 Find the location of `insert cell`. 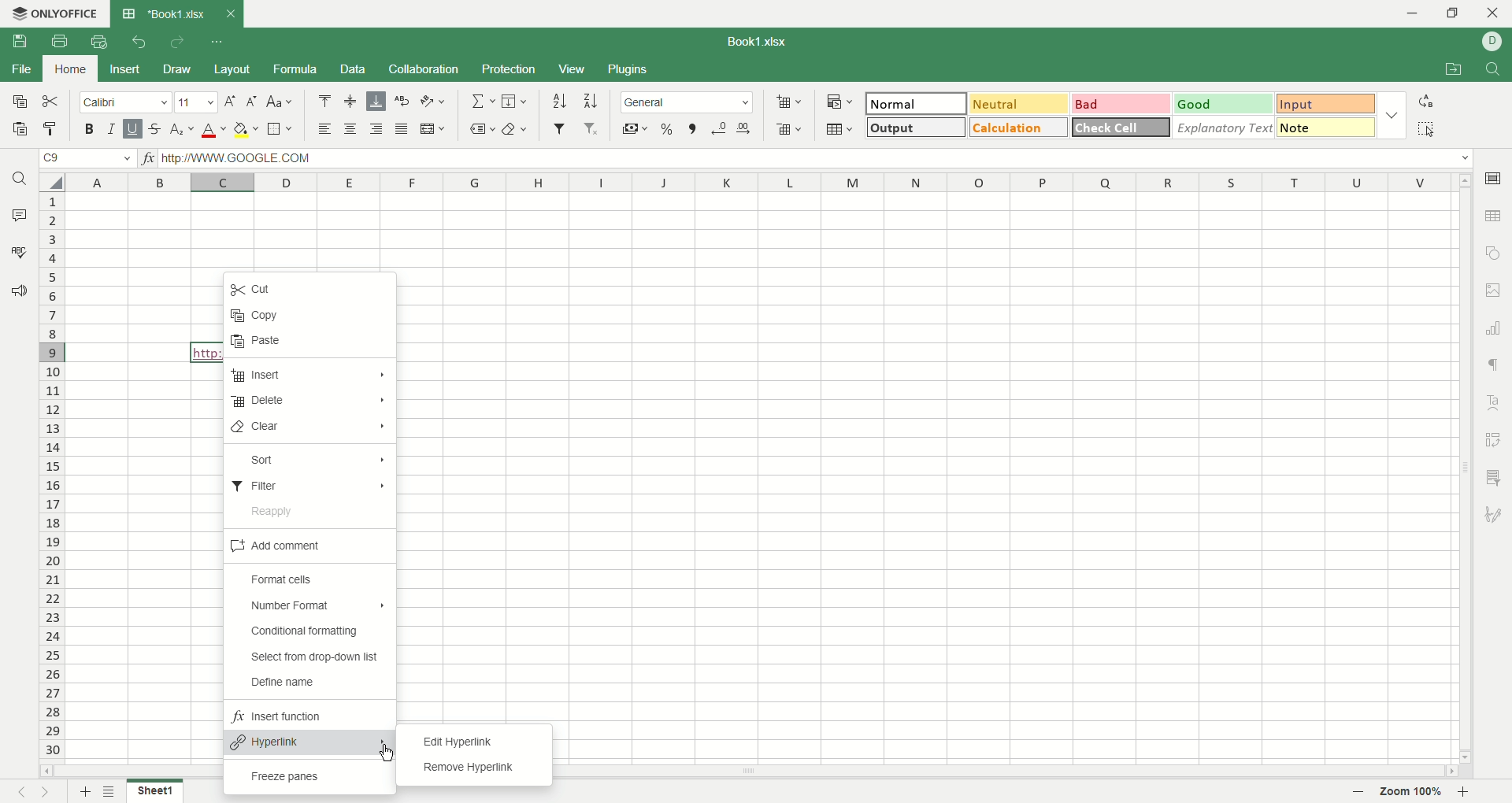

insert cell is located at coordinates (789, 102).